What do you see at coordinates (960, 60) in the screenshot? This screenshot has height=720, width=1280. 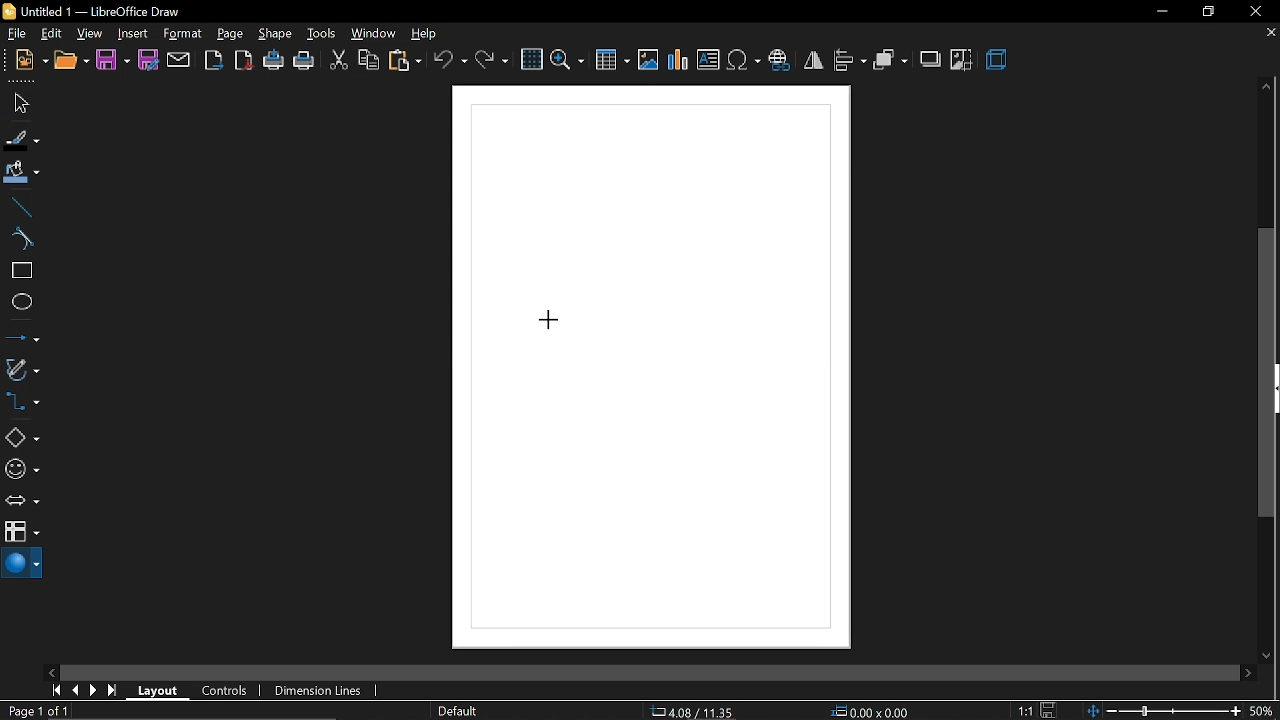 I see `crop` at bounding box center [960, 60].